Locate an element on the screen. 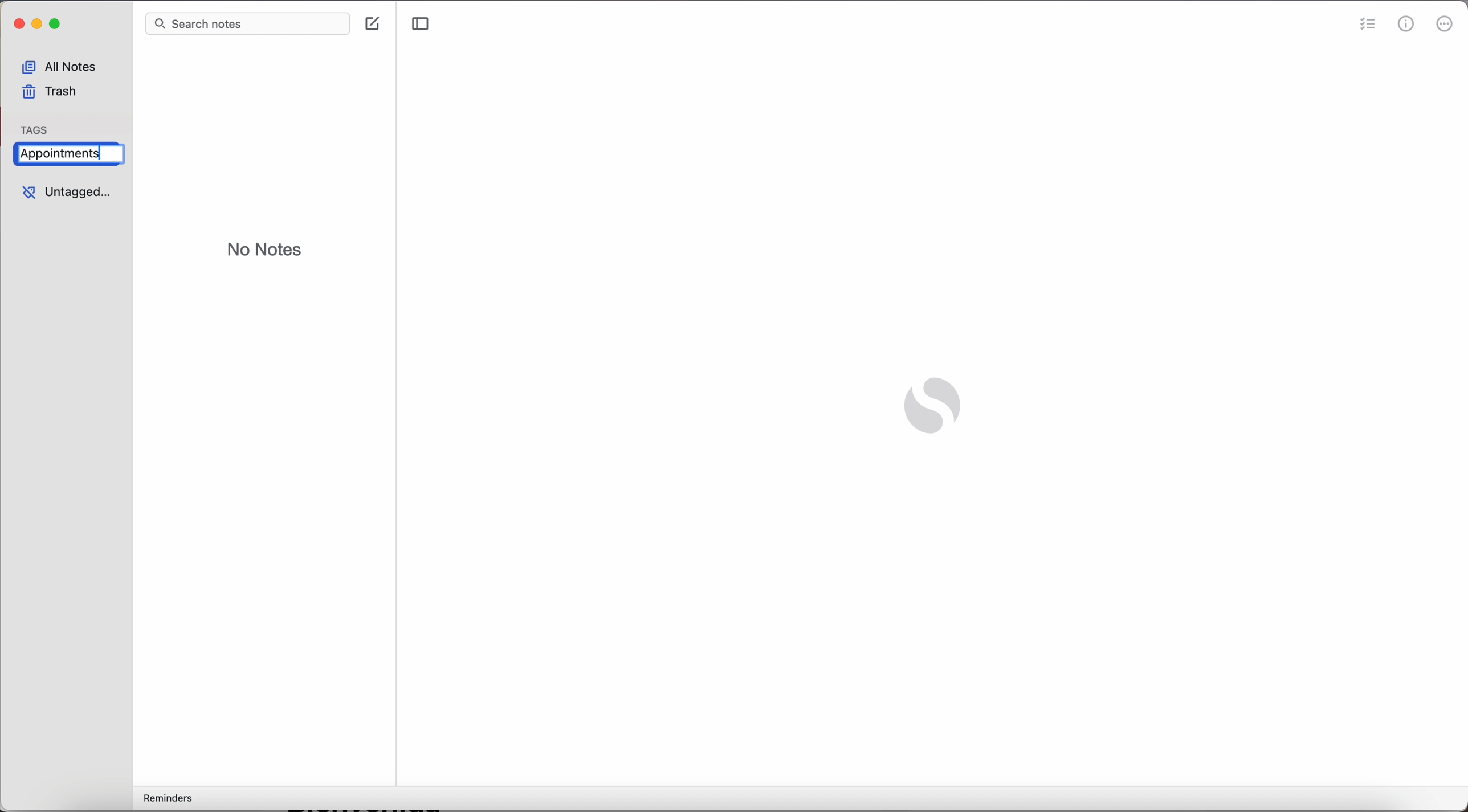  metrics is located at coordinates (1408, 25).